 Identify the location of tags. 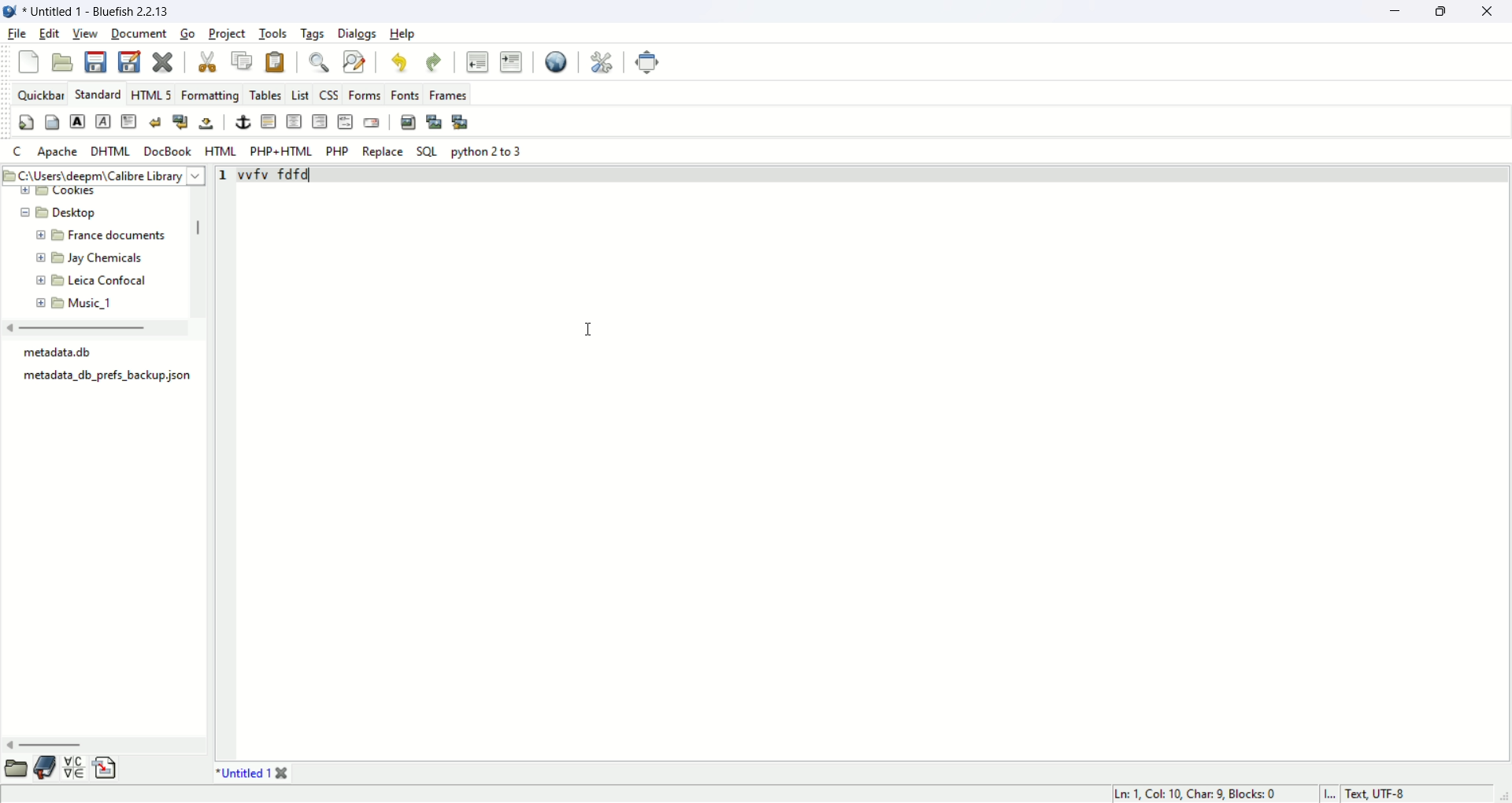
(310, 33).